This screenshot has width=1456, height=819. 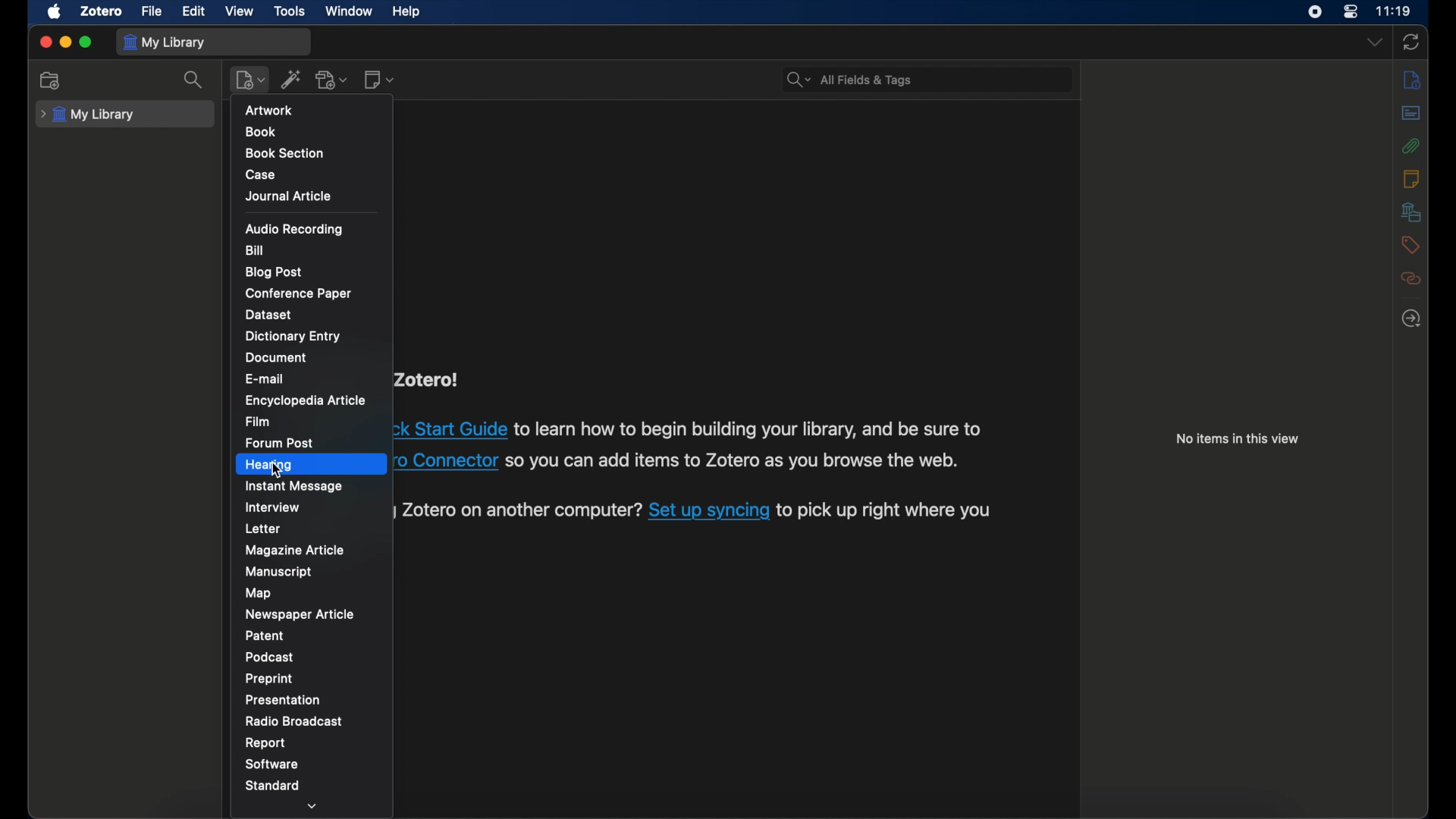 I want to click on patent, so click(x=265, y=635).